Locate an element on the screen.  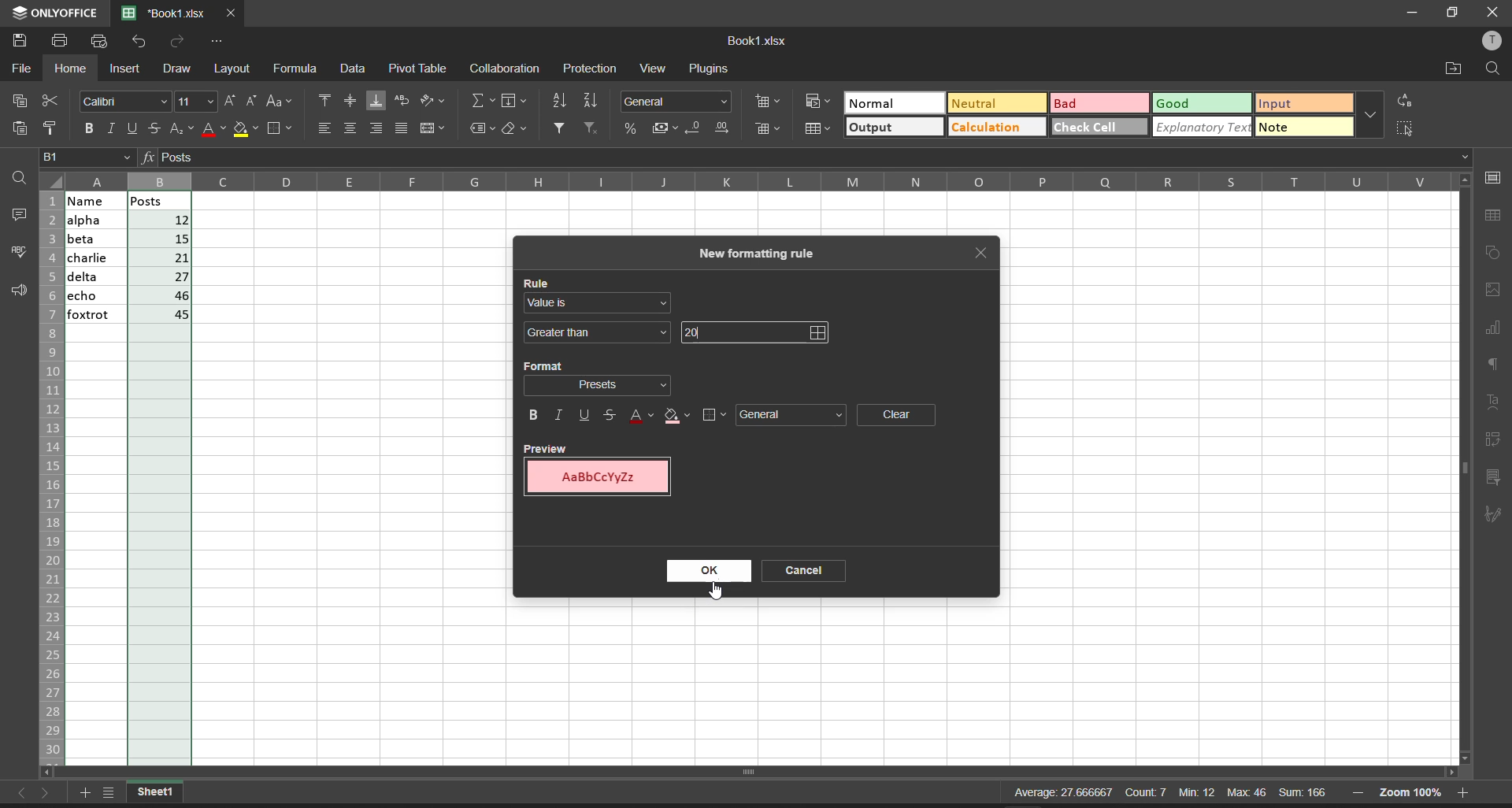
insert is located at coordinates (126, 68).